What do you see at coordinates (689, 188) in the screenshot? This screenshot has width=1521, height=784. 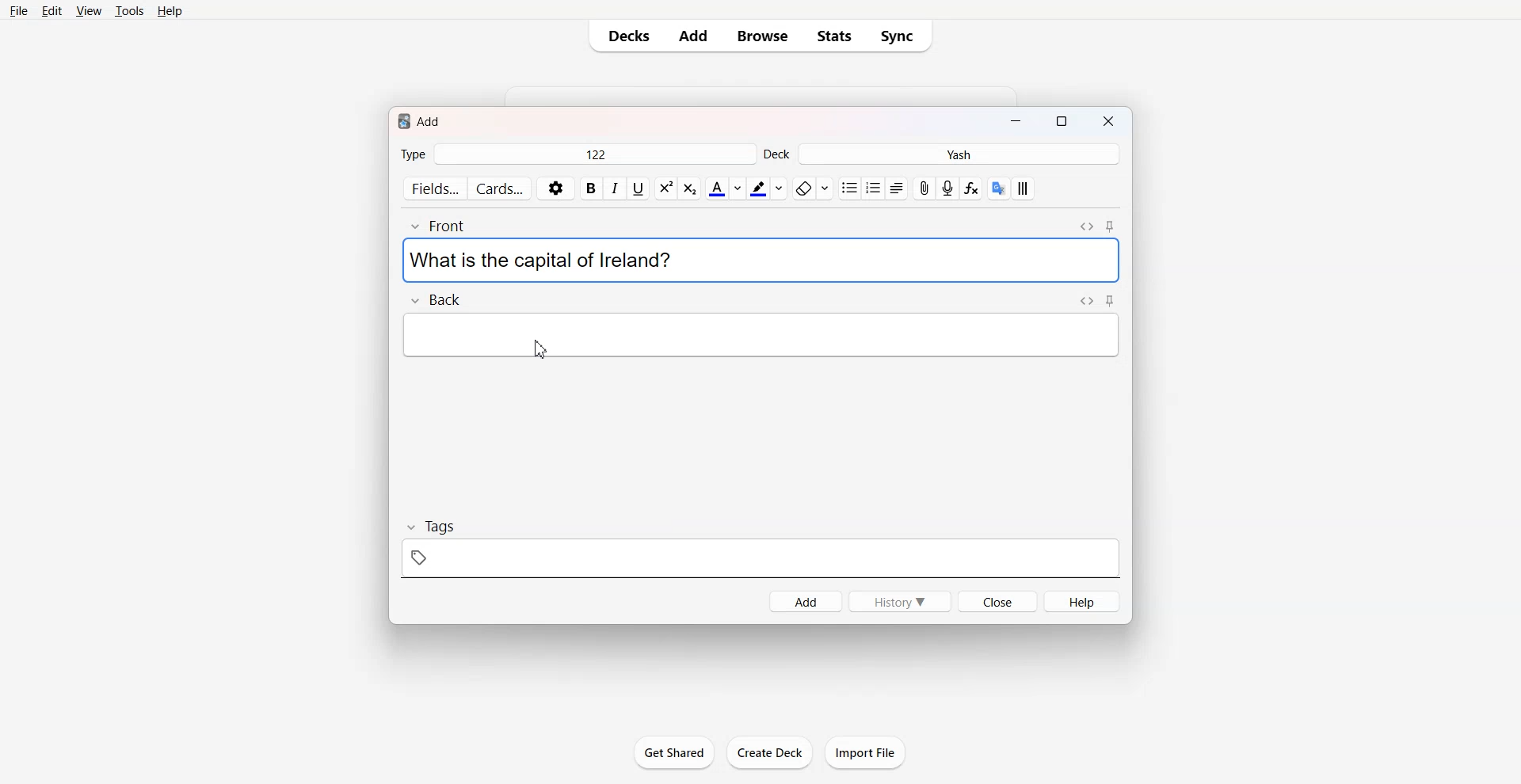 I see `Superscript` at bounding box center [689, 188].